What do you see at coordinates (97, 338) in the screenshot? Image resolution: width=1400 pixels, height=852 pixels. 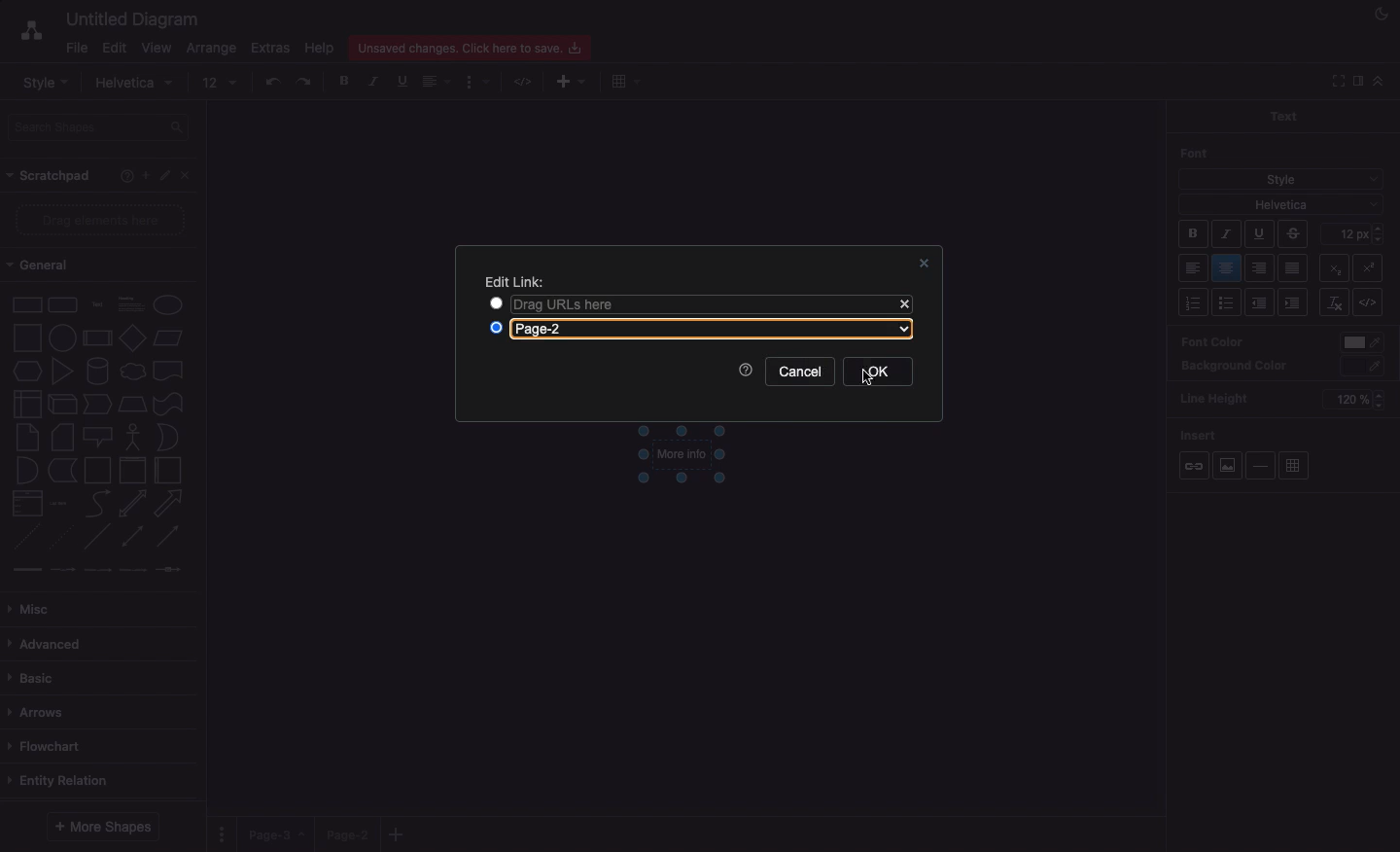 I see `process` at bounding box center [97, 338].